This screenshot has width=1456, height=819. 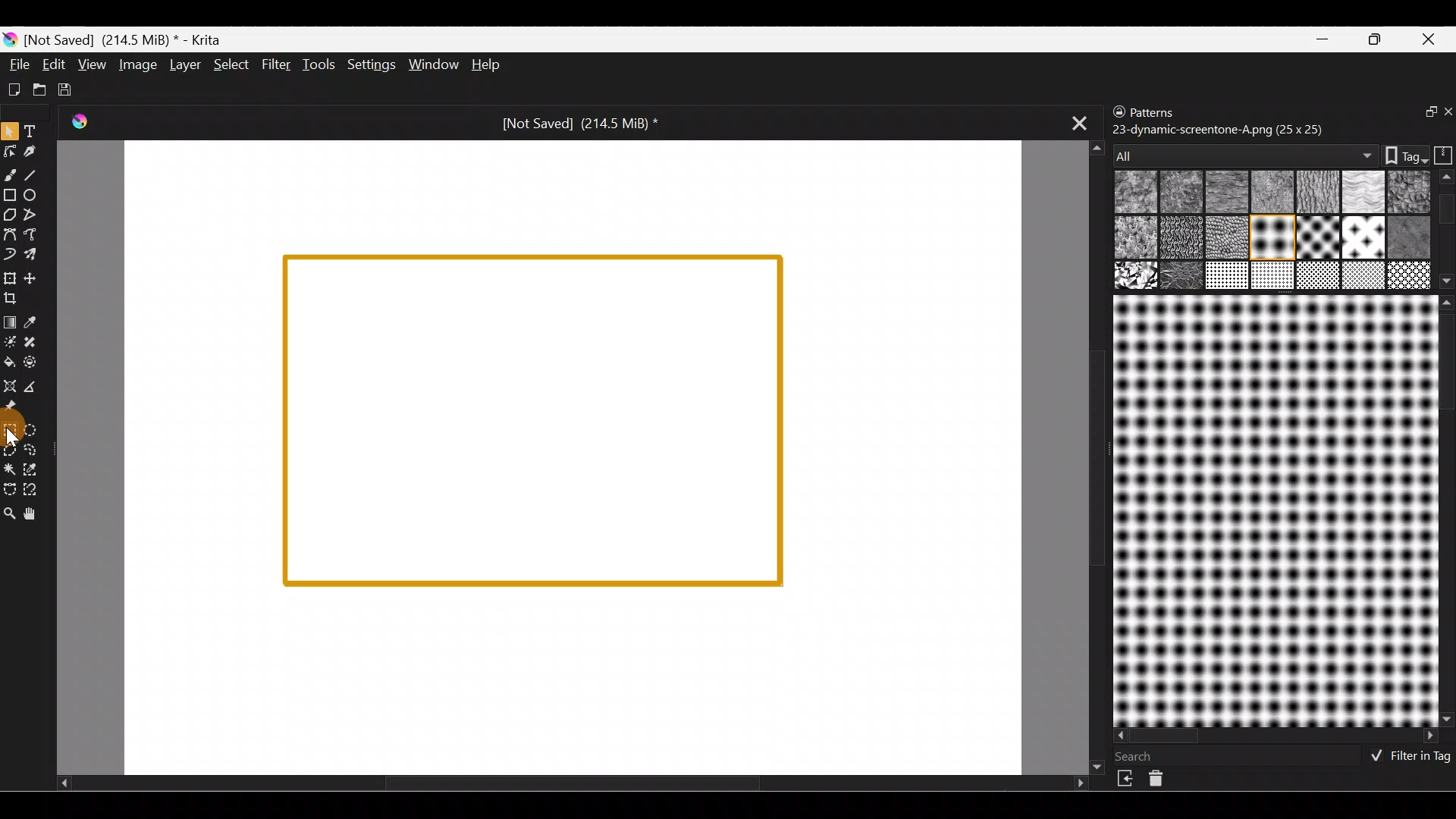 I want to click on Smart patch tool, so click(x=39, y=344).